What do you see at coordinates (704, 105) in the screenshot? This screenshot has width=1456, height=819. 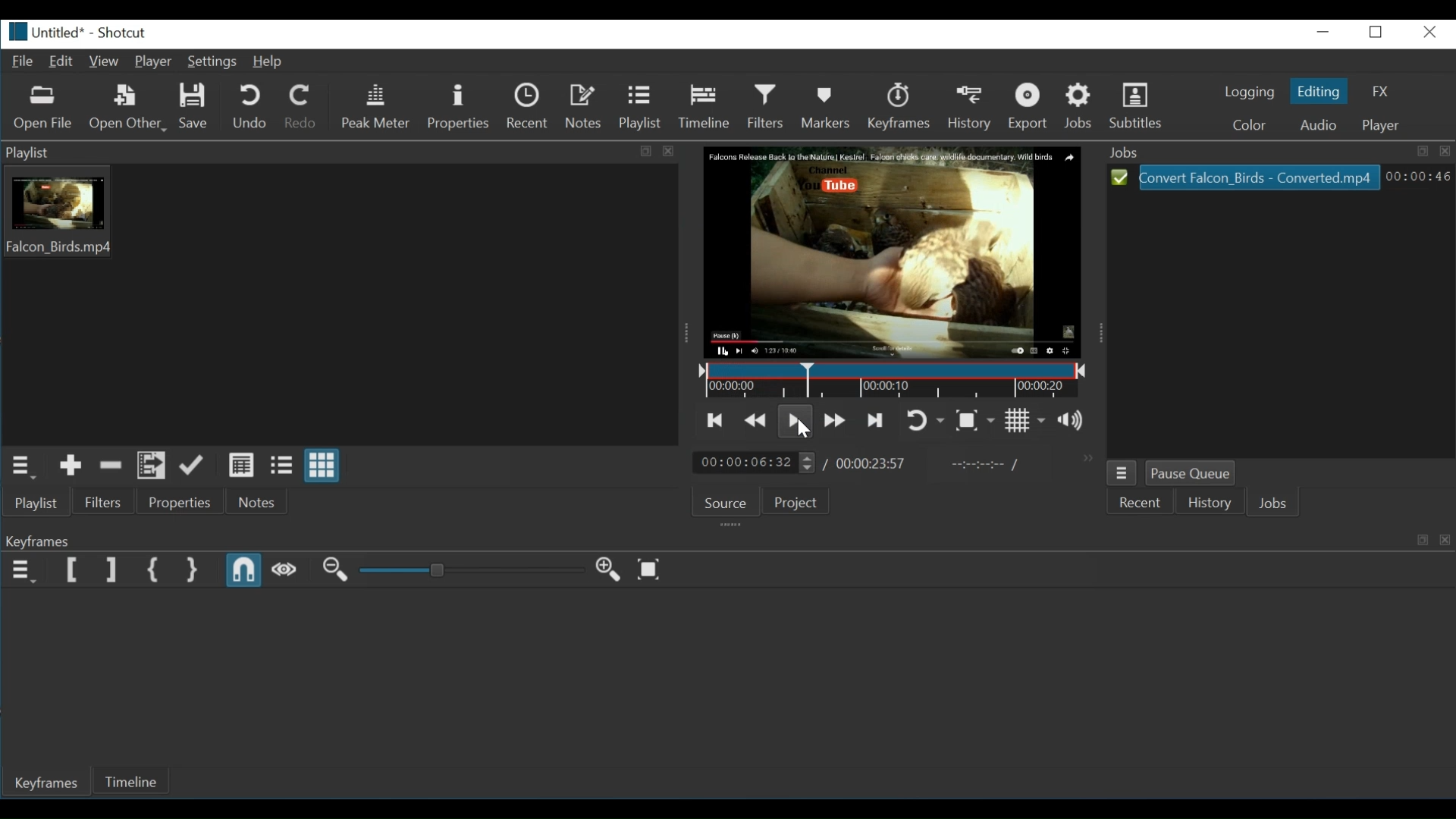 I see `Timeline` at bounding box center [704, 105].